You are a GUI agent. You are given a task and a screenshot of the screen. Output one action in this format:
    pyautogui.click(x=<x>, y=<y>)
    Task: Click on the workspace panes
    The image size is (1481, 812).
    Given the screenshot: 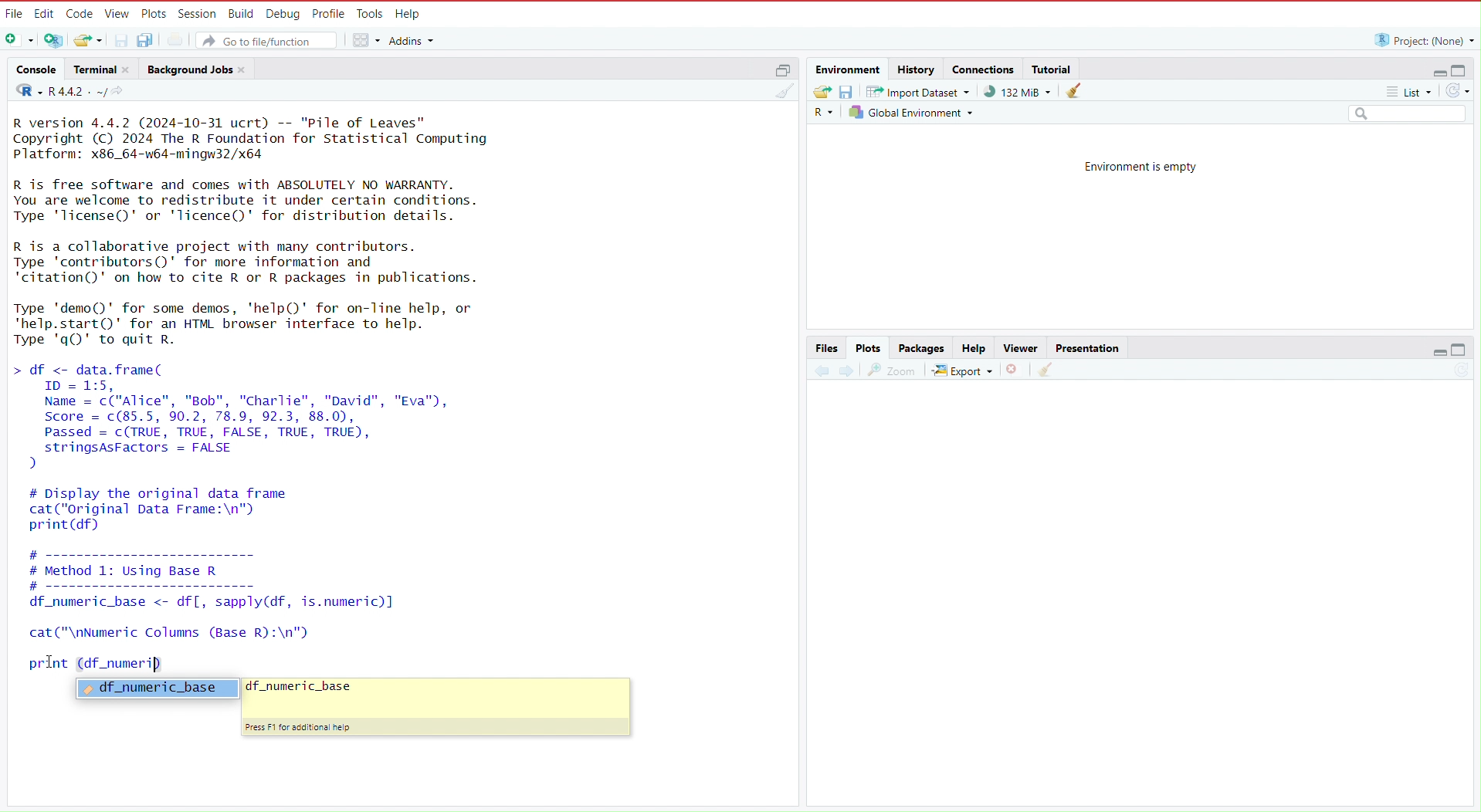 What is the action you would take?
    pyautogui.click(x=366, y=40)
    